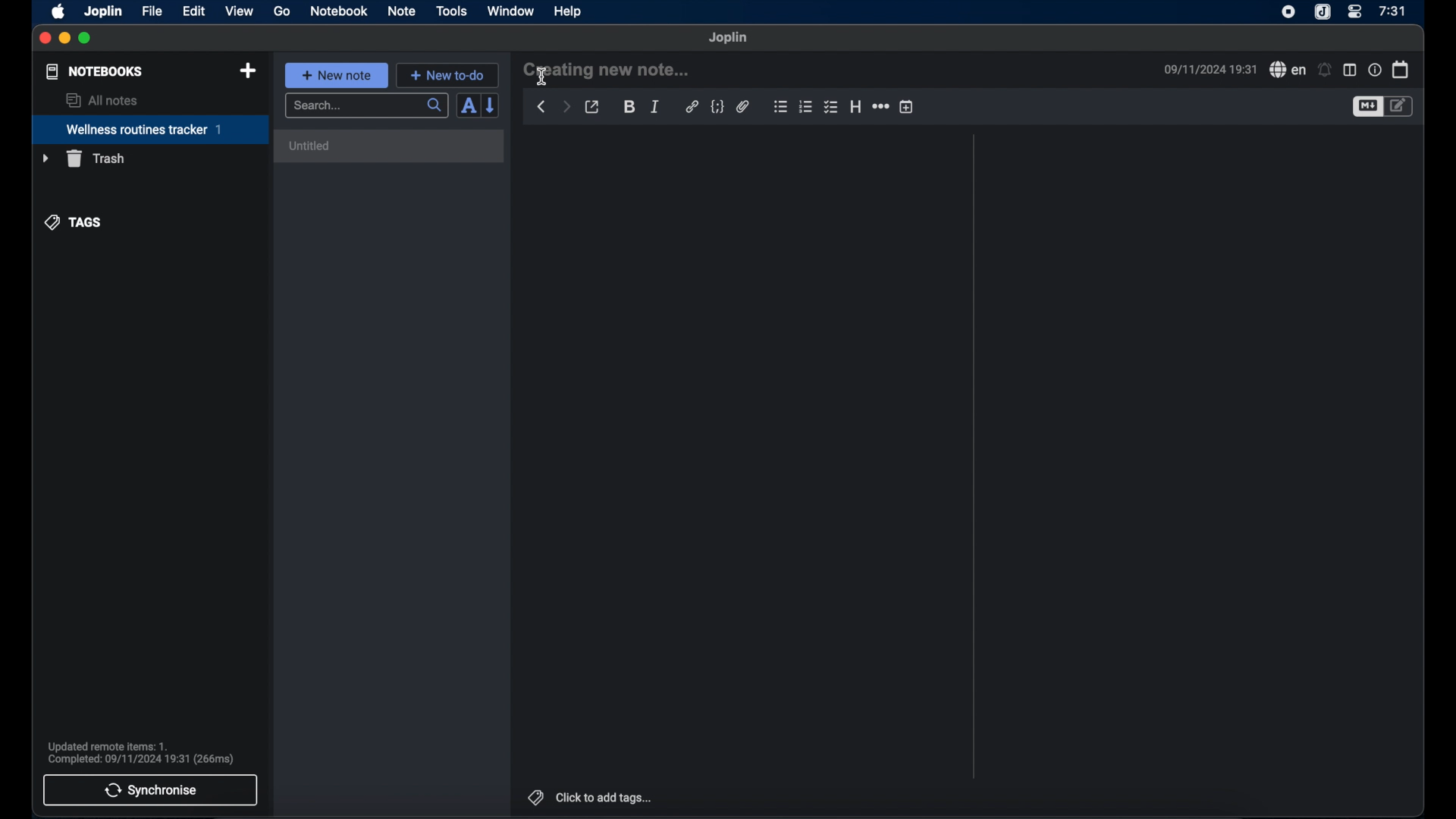 This screenshot has width=1456, height=819. Describe the element at coordinates (832, 106) in the screenshot. I see `checklist` at that location.